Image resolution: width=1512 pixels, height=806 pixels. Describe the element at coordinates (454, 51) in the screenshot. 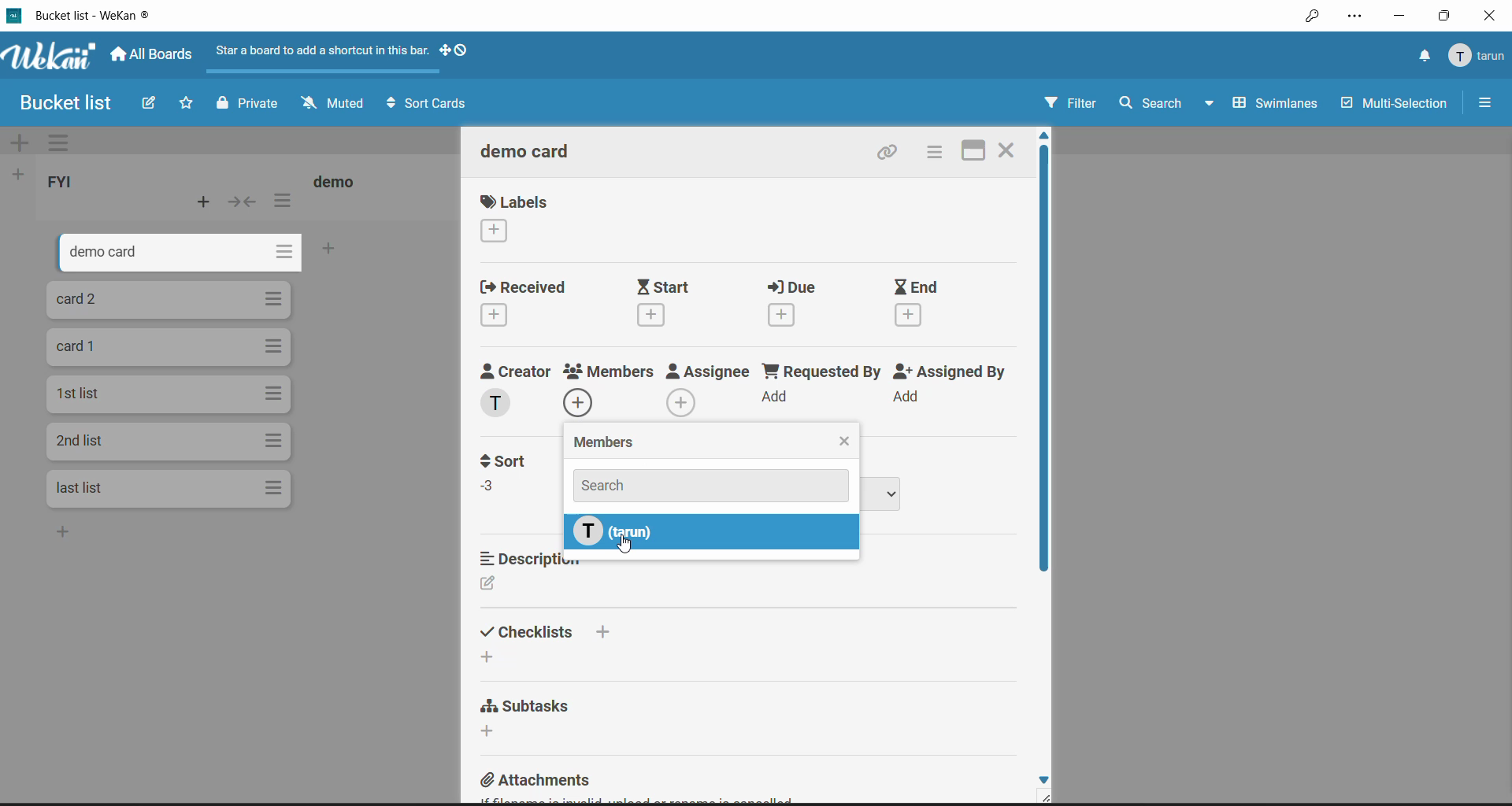

I see `show desktop drag handles` at that location.